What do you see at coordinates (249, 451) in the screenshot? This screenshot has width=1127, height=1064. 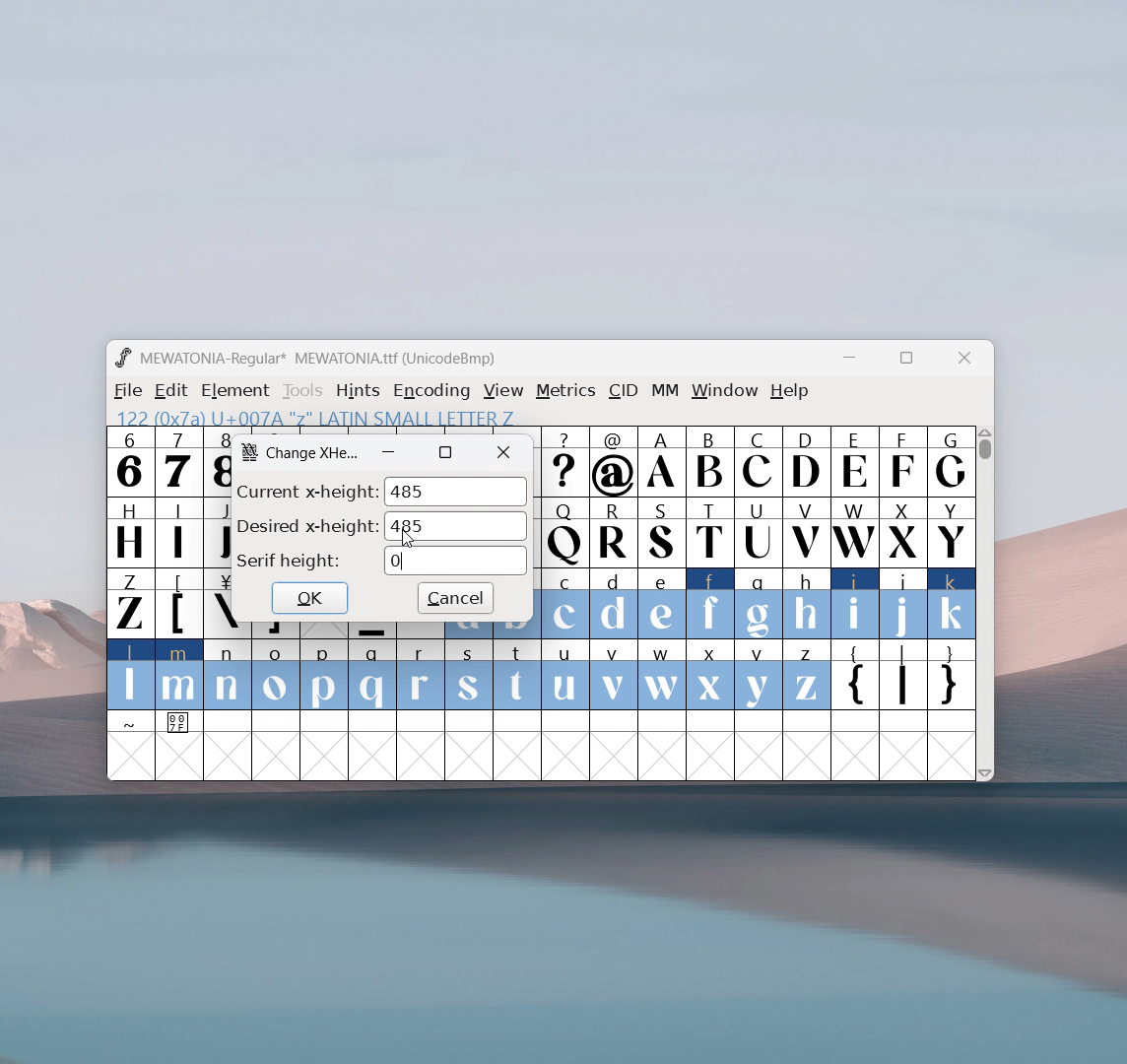 I see `logo` at bounding box center [249, 451].